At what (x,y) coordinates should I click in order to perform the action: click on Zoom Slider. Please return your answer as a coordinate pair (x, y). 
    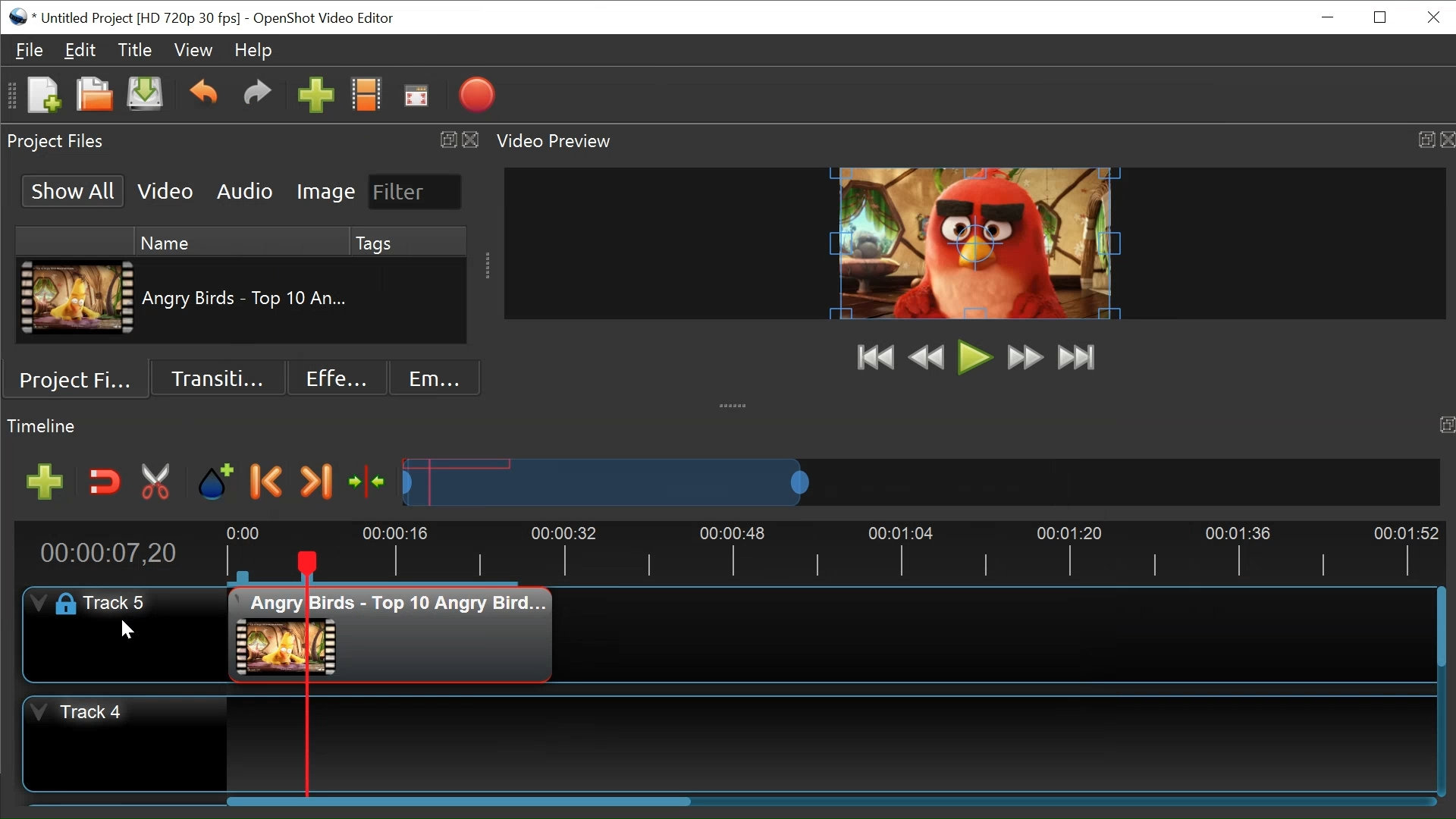
    Looking at the image, I should click on (921, 483).